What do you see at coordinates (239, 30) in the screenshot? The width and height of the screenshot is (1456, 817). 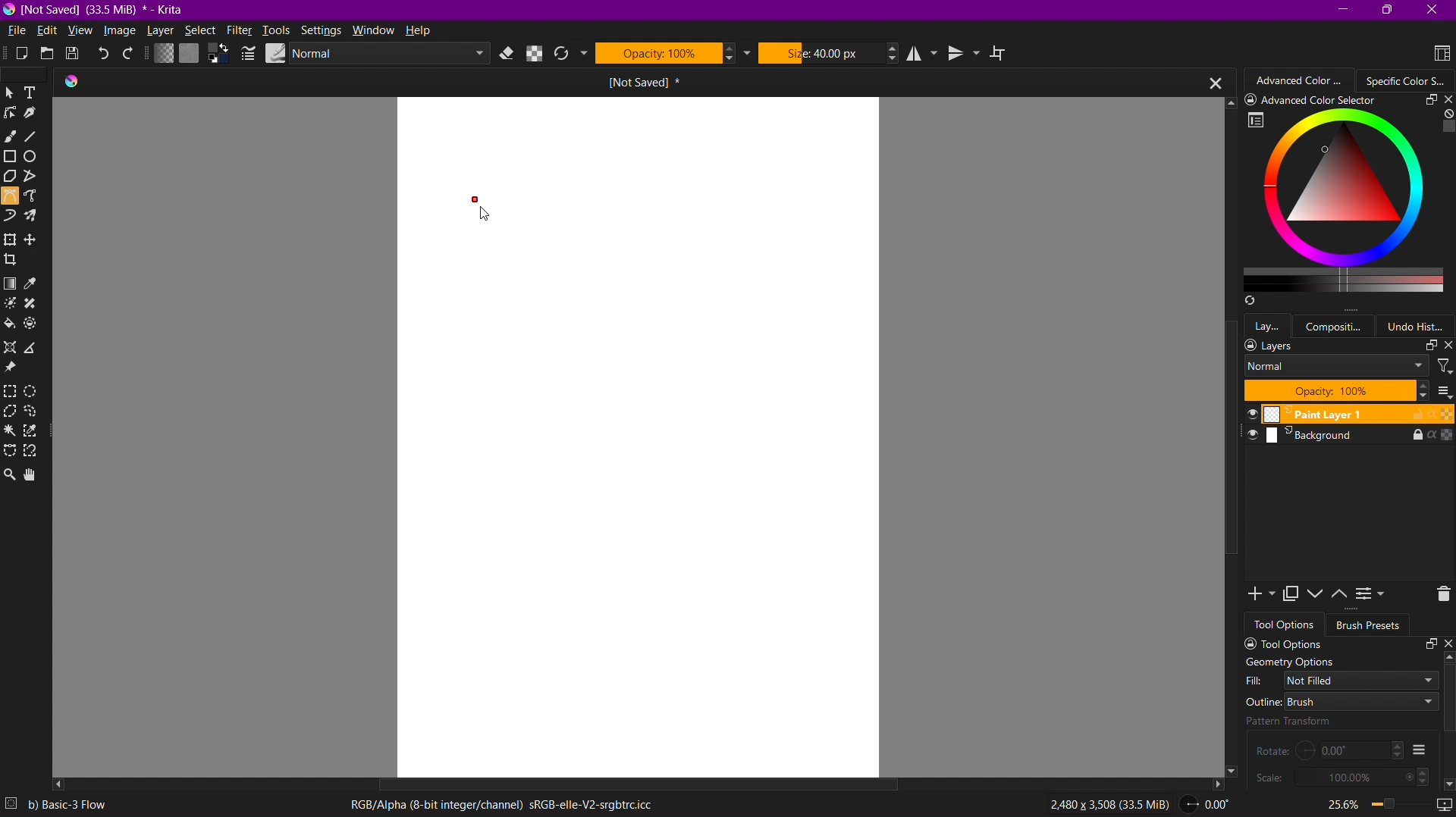 I see `Filter` at bounding box center [239, 30].